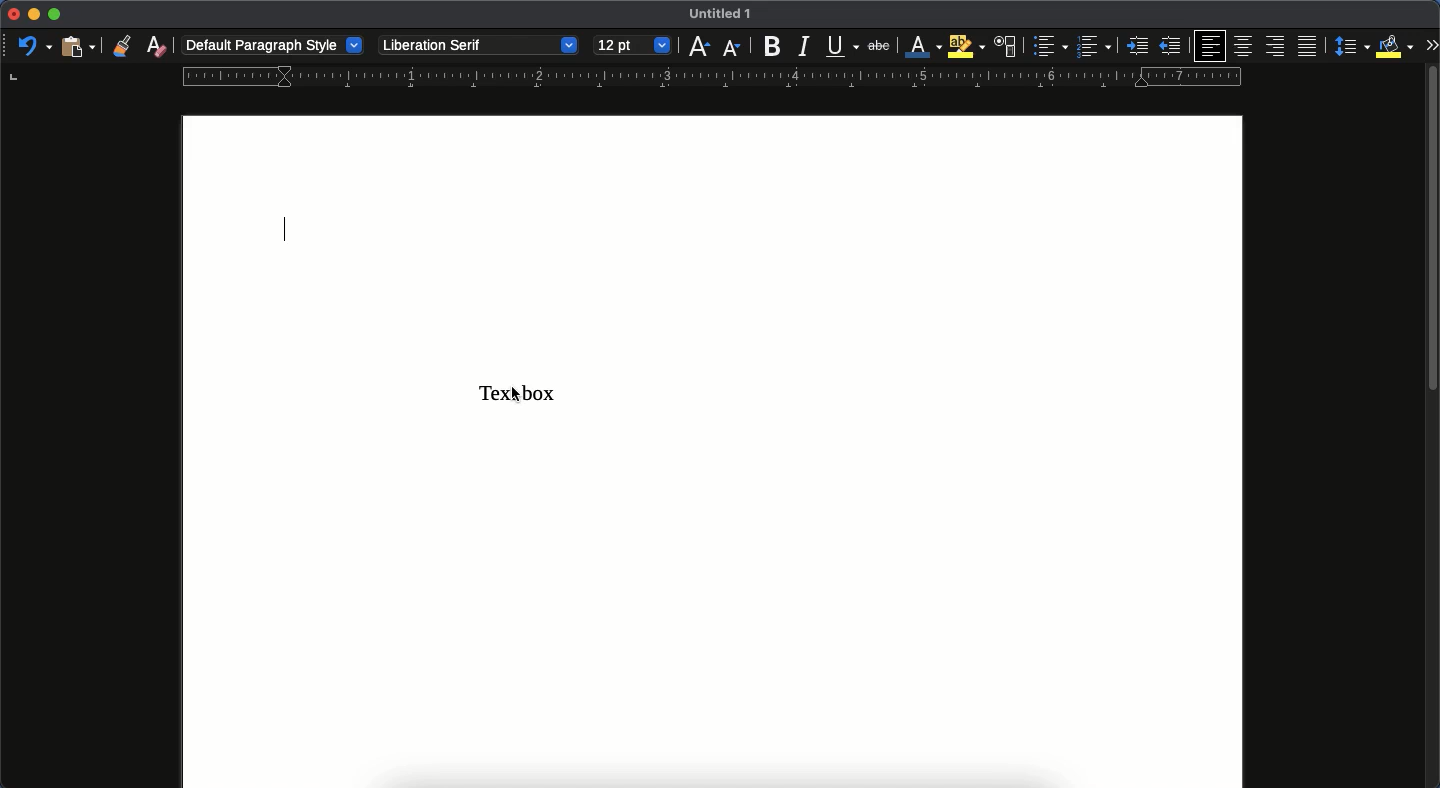 The height and width of the screenshot is (788, 1440). What do you see at coordinates (709, 77) in the screenshot?
I see `guide` at bounding box center [709, 77].